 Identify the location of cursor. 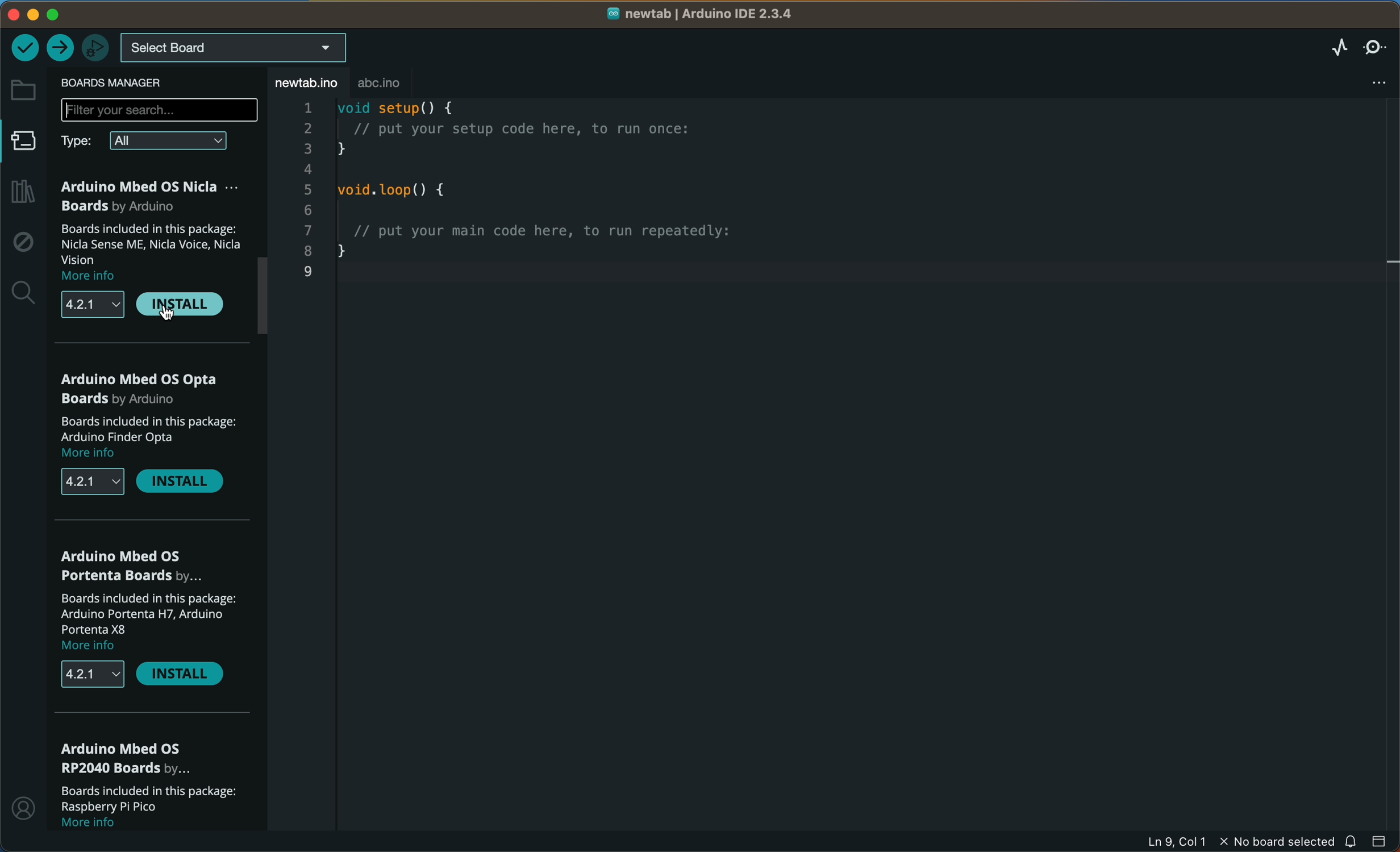
(165, 313).